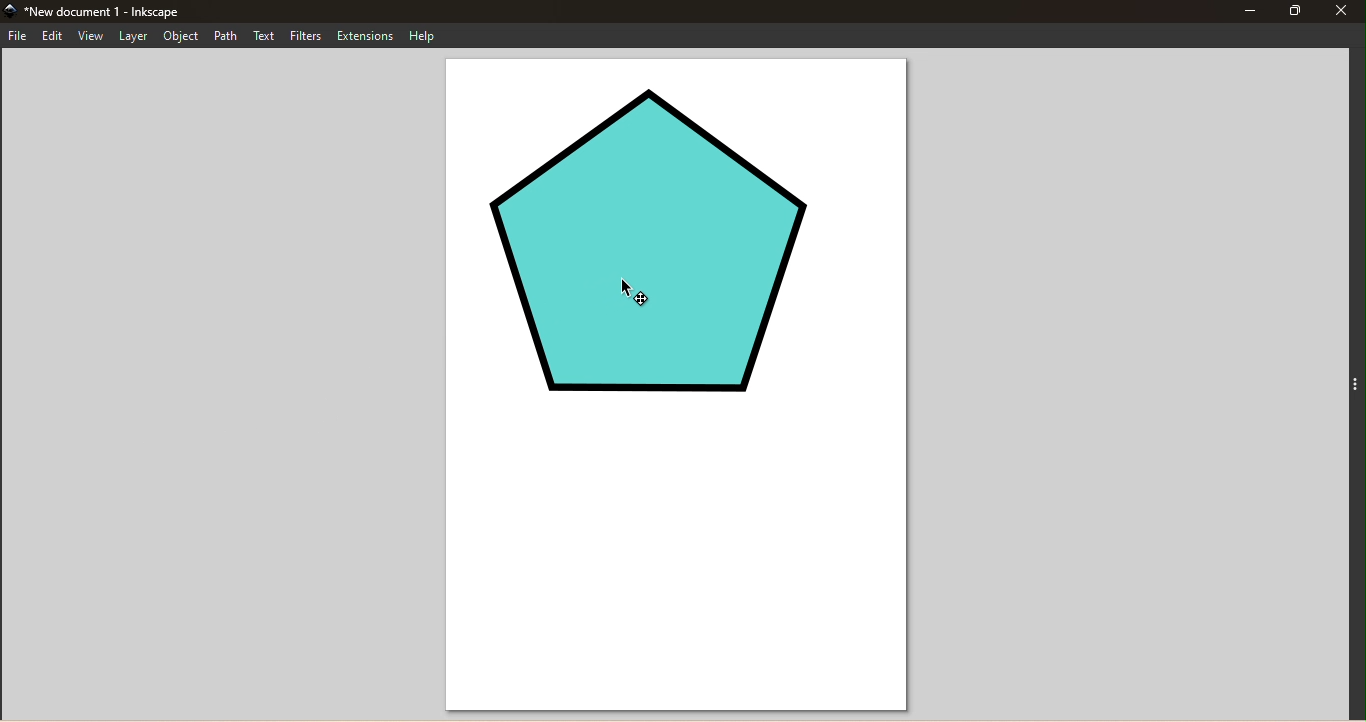 This screenshot has width=1366, height=722. What do you see at coordinates (426, 36) in the screenshot?
I see `Help` at bounding box center [426, 36].